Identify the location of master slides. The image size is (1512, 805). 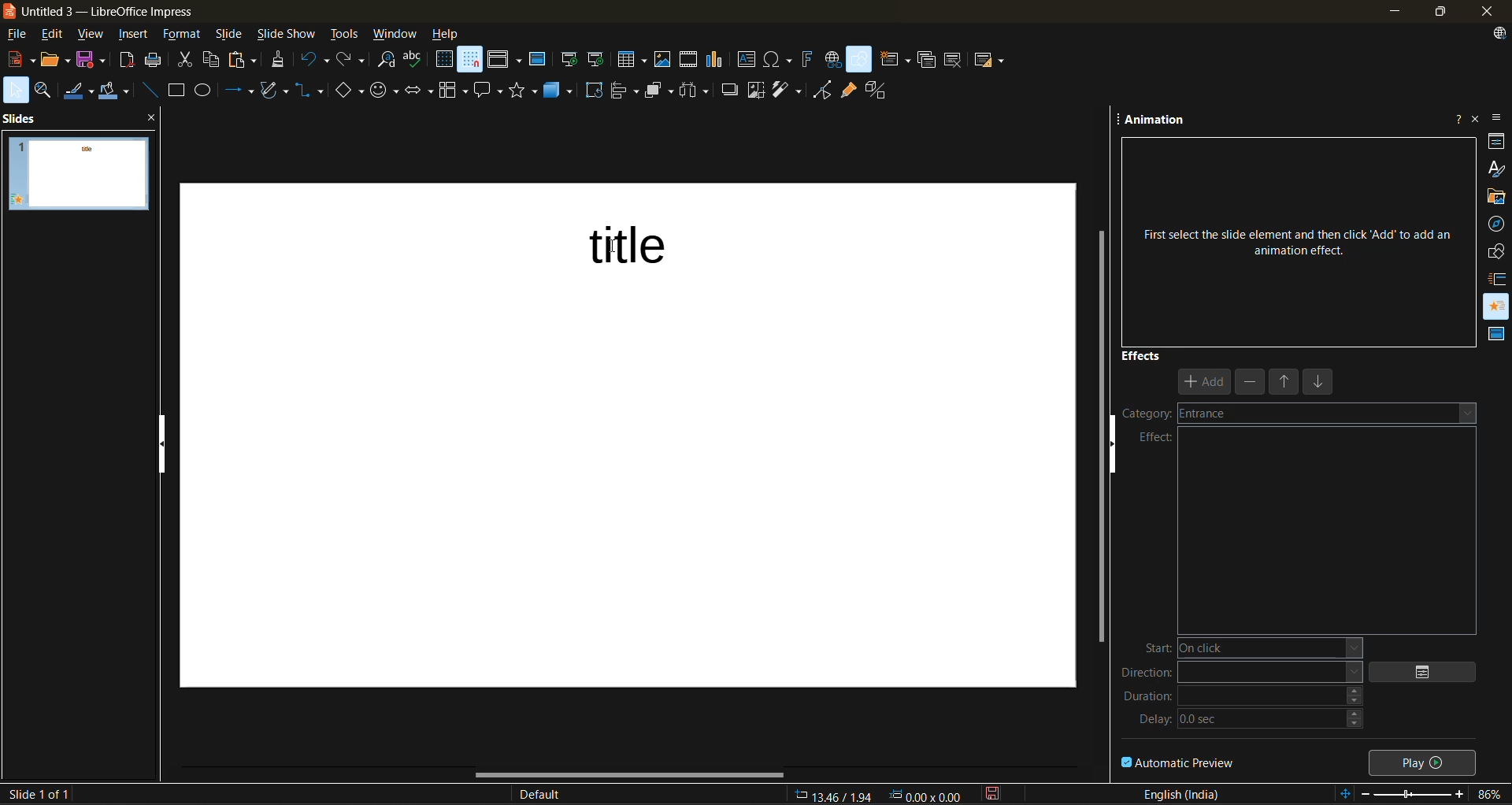
(1493, 335).